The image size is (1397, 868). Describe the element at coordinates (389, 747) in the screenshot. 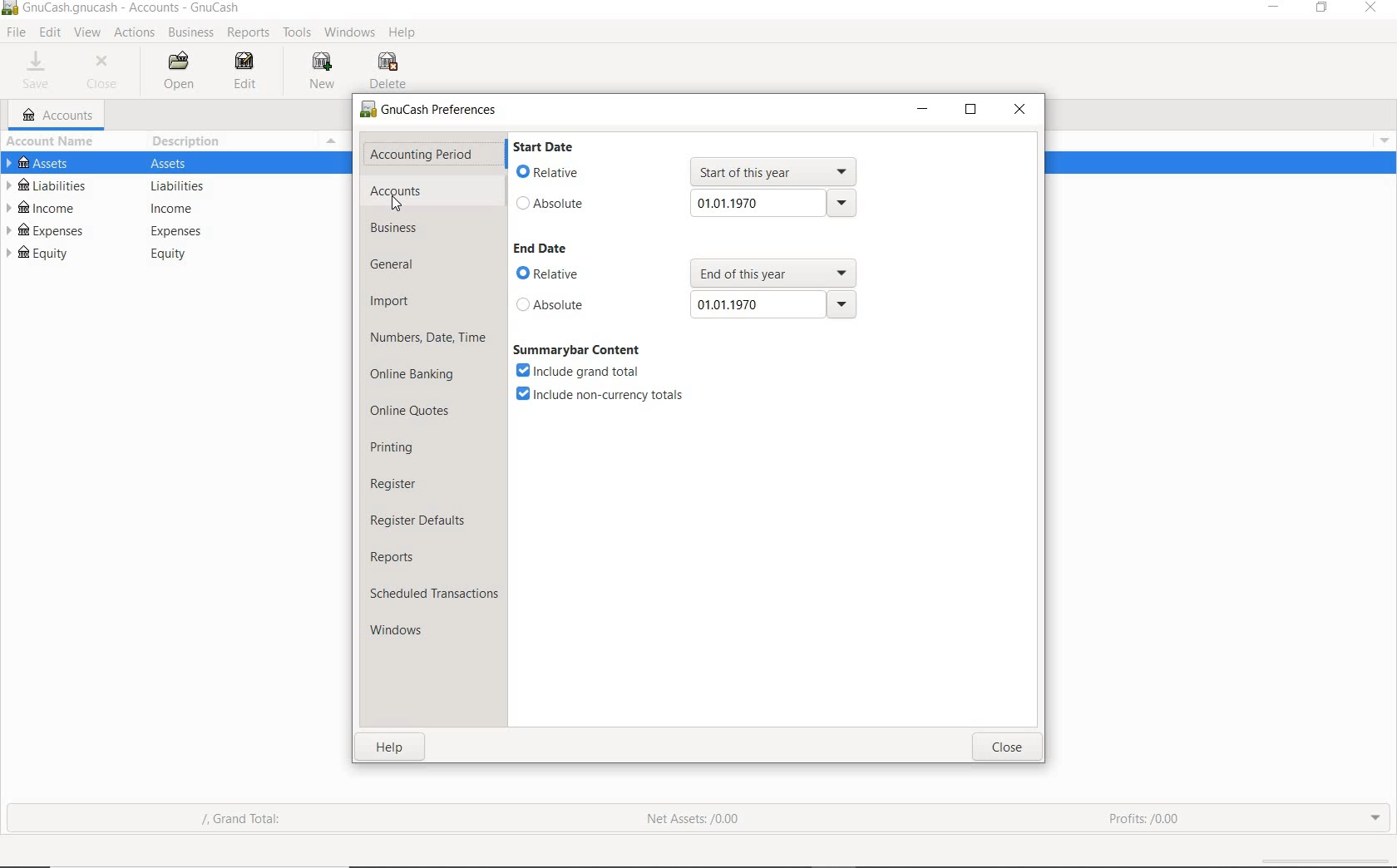

I see `help` at that location.